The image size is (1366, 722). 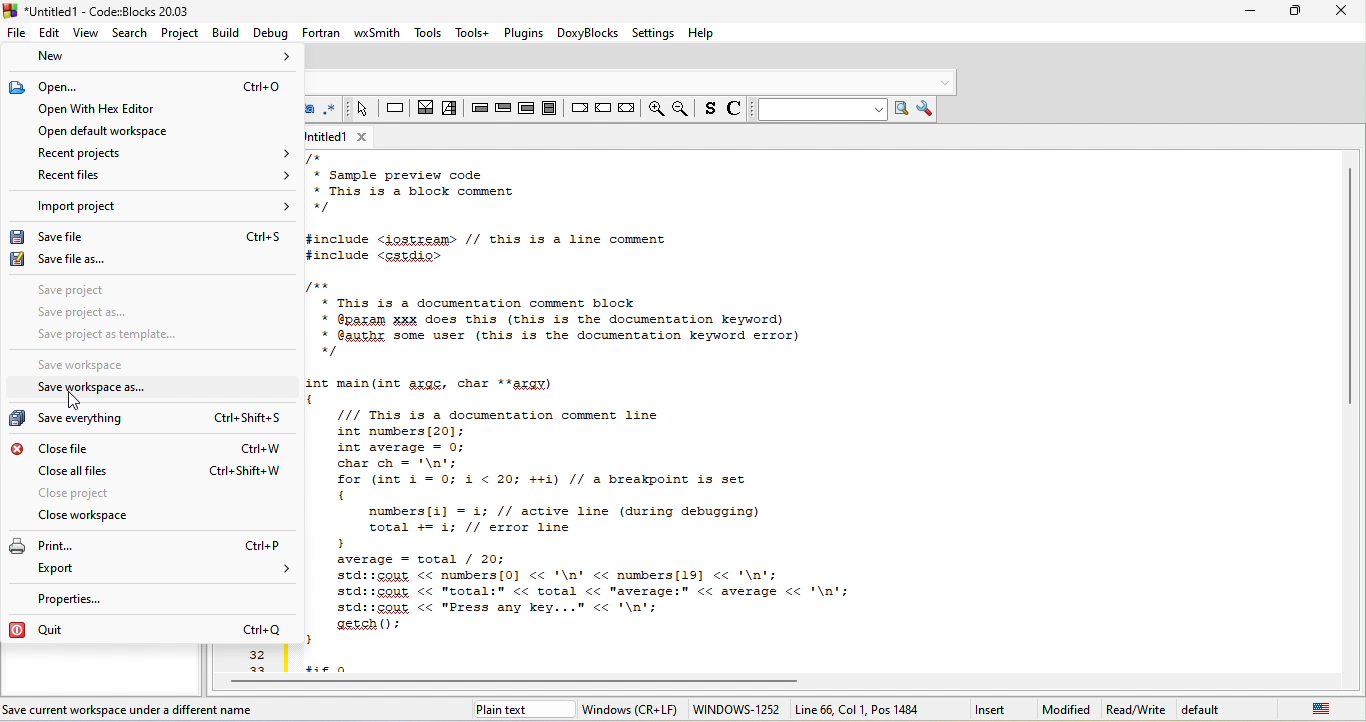 What do you see at coordinates (332, 109) in the screenshot?
I see `use regex` at bounding box center [332, 109].